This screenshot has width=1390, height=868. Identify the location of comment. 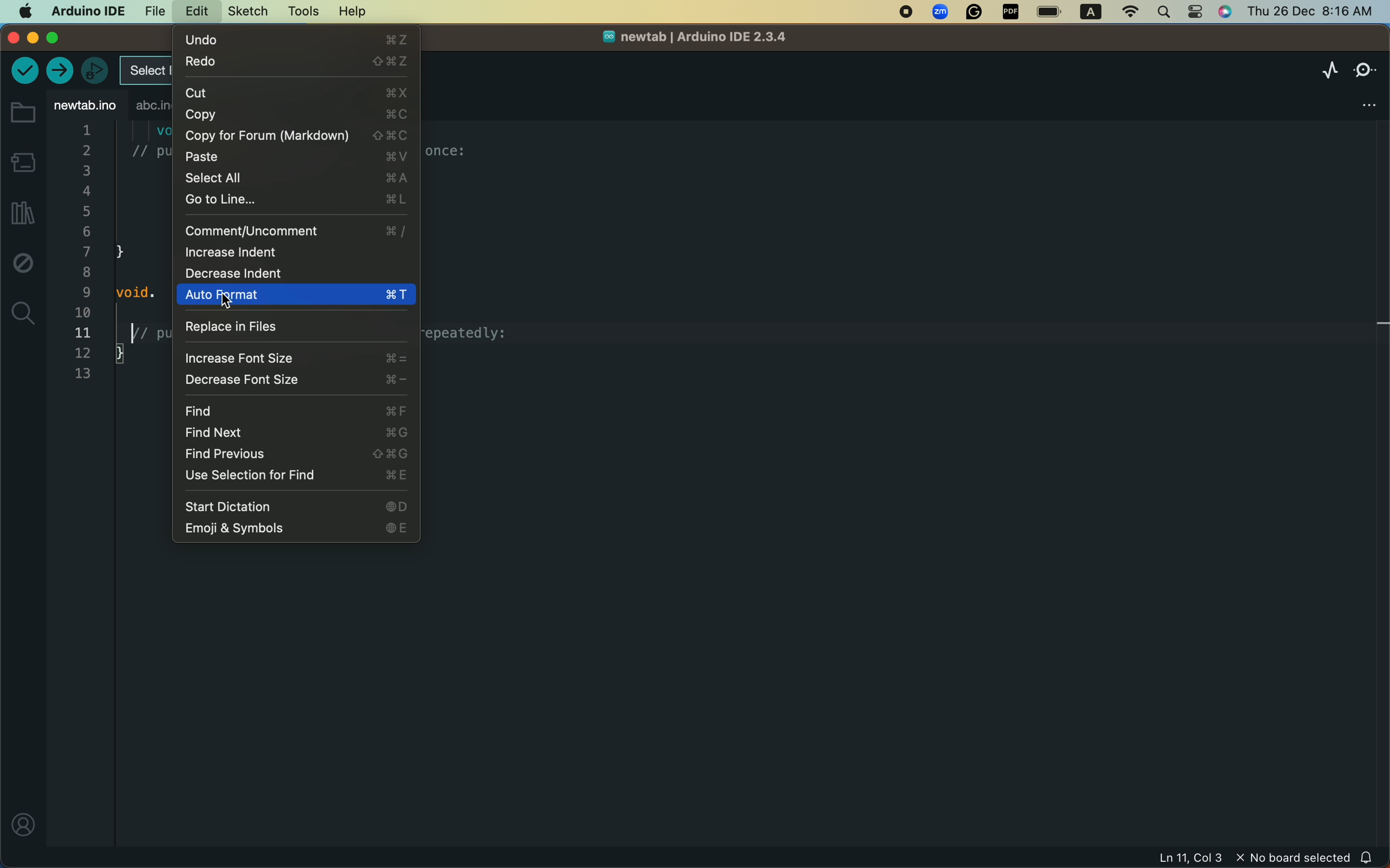
(296, 231).